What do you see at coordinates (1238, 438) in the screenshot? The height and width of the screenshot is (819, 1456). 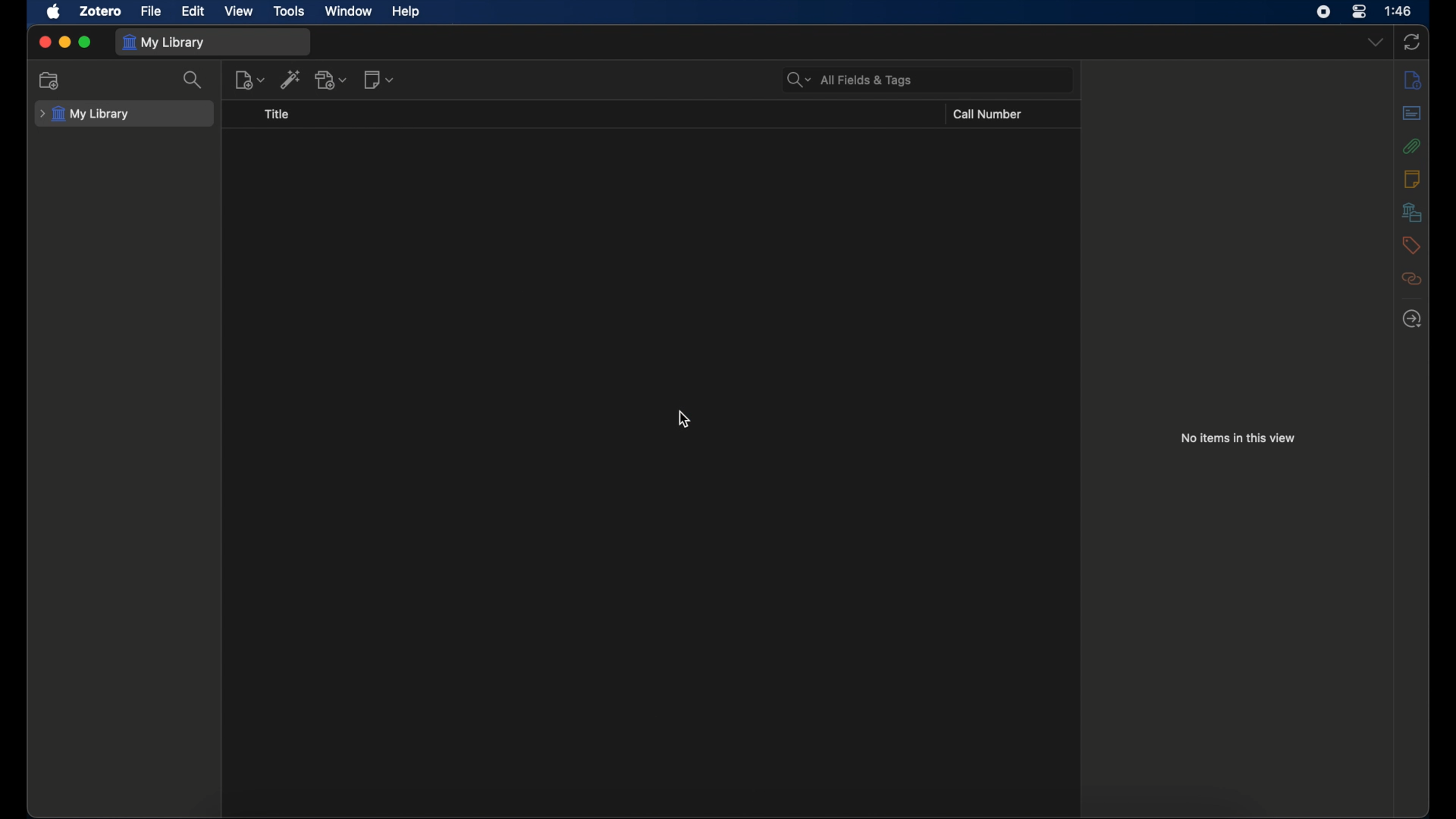 I see `no items in this view` at bounding box center [1238, 438].